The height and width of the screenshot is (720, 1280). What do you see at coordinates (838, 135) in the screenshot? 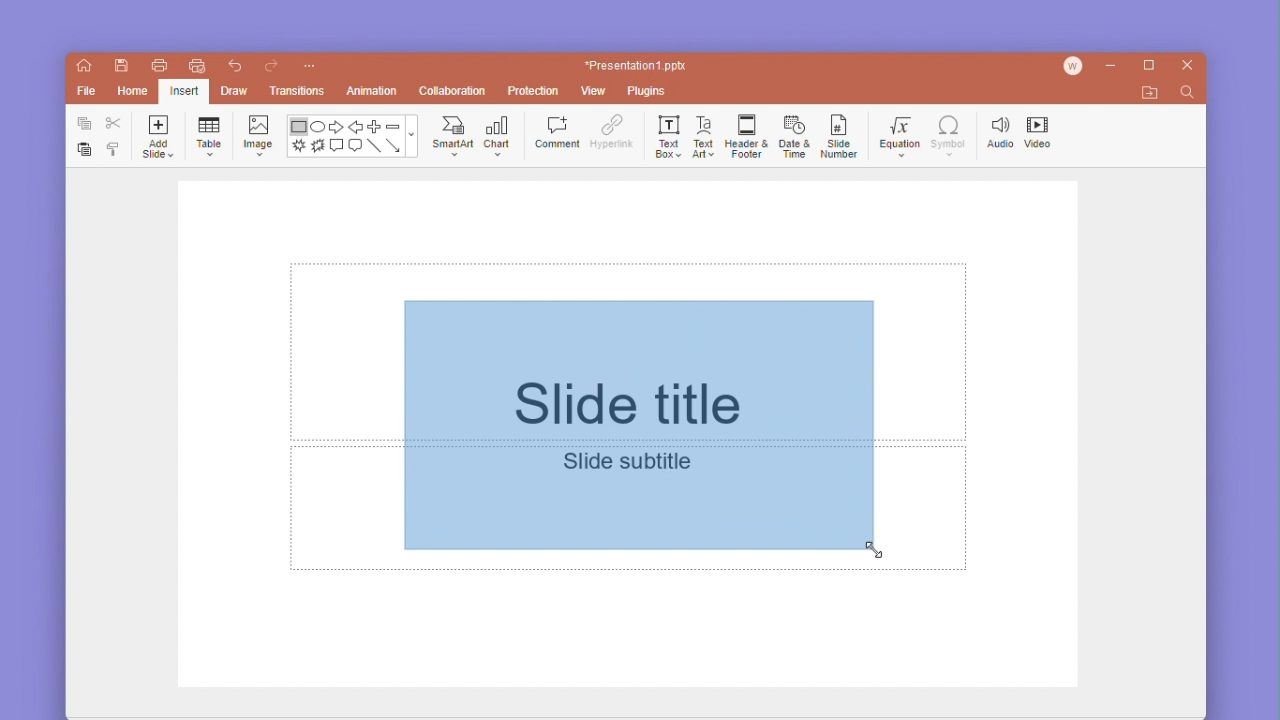
I see `slide number` at bounding box center [838, 135].